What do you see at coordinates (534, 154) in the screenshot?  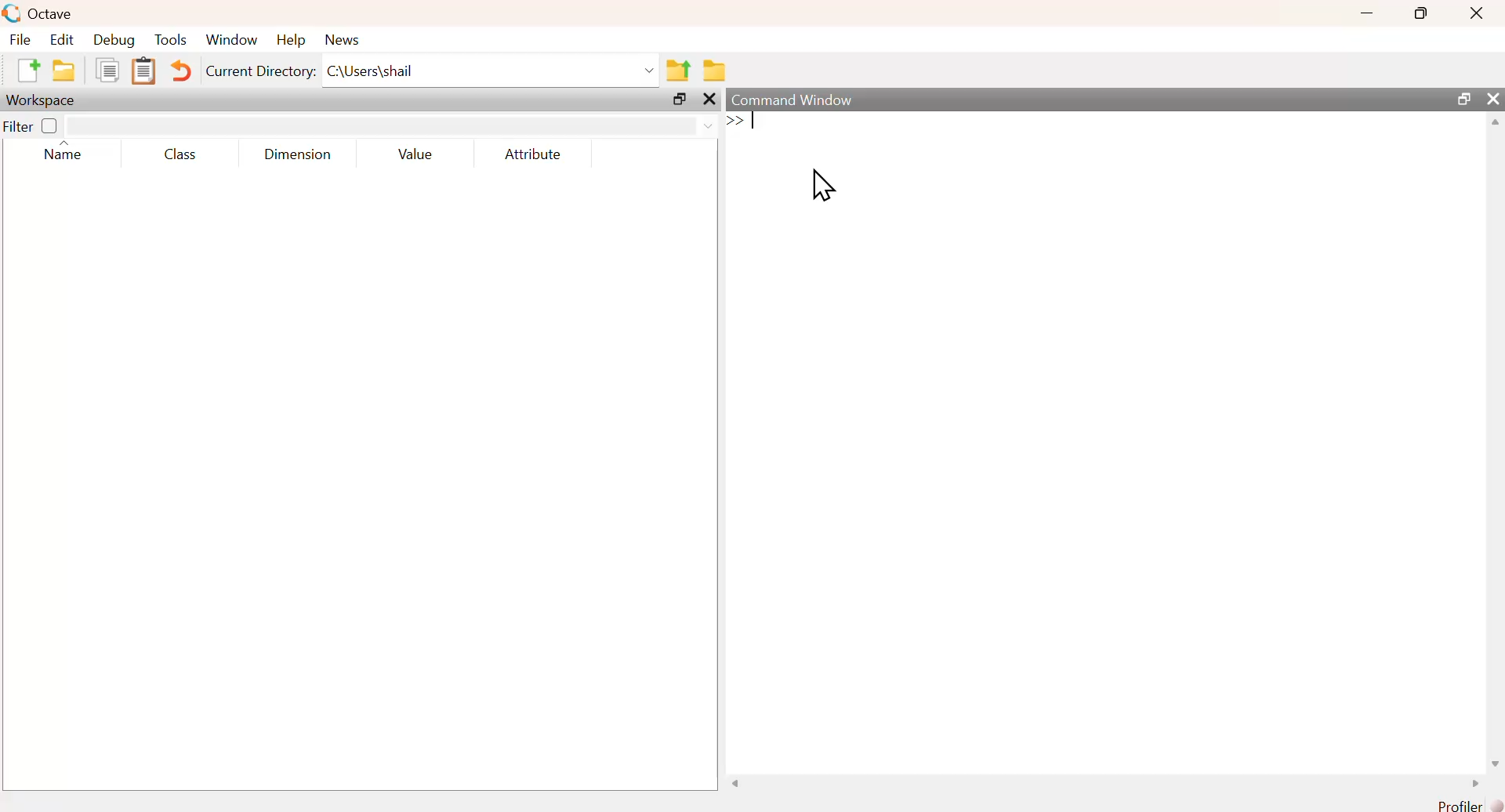 I see `Attribute` at bounding box center [534, 154].